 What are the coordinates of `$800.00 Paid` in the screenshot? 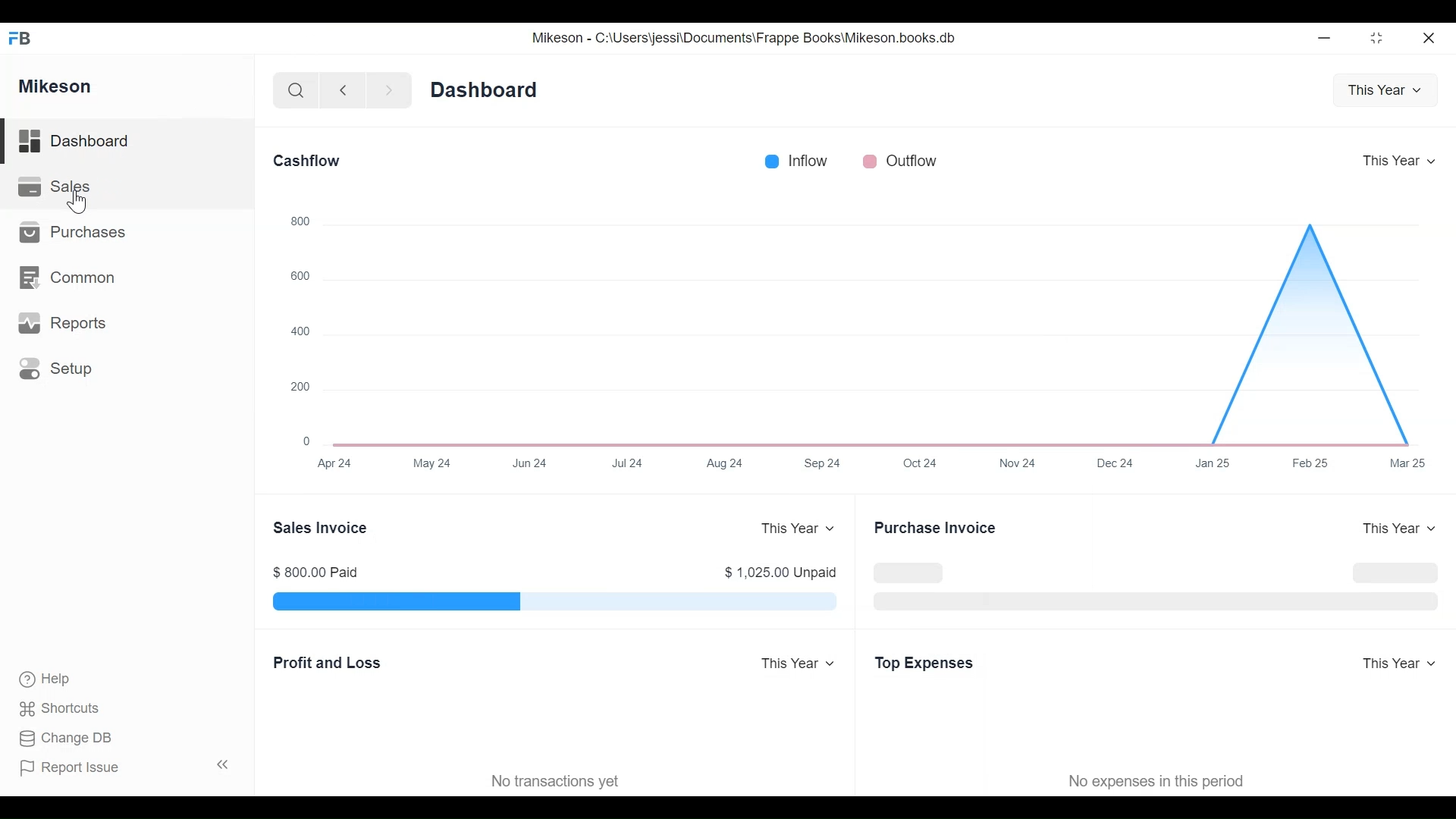 It's located at (322, 572).